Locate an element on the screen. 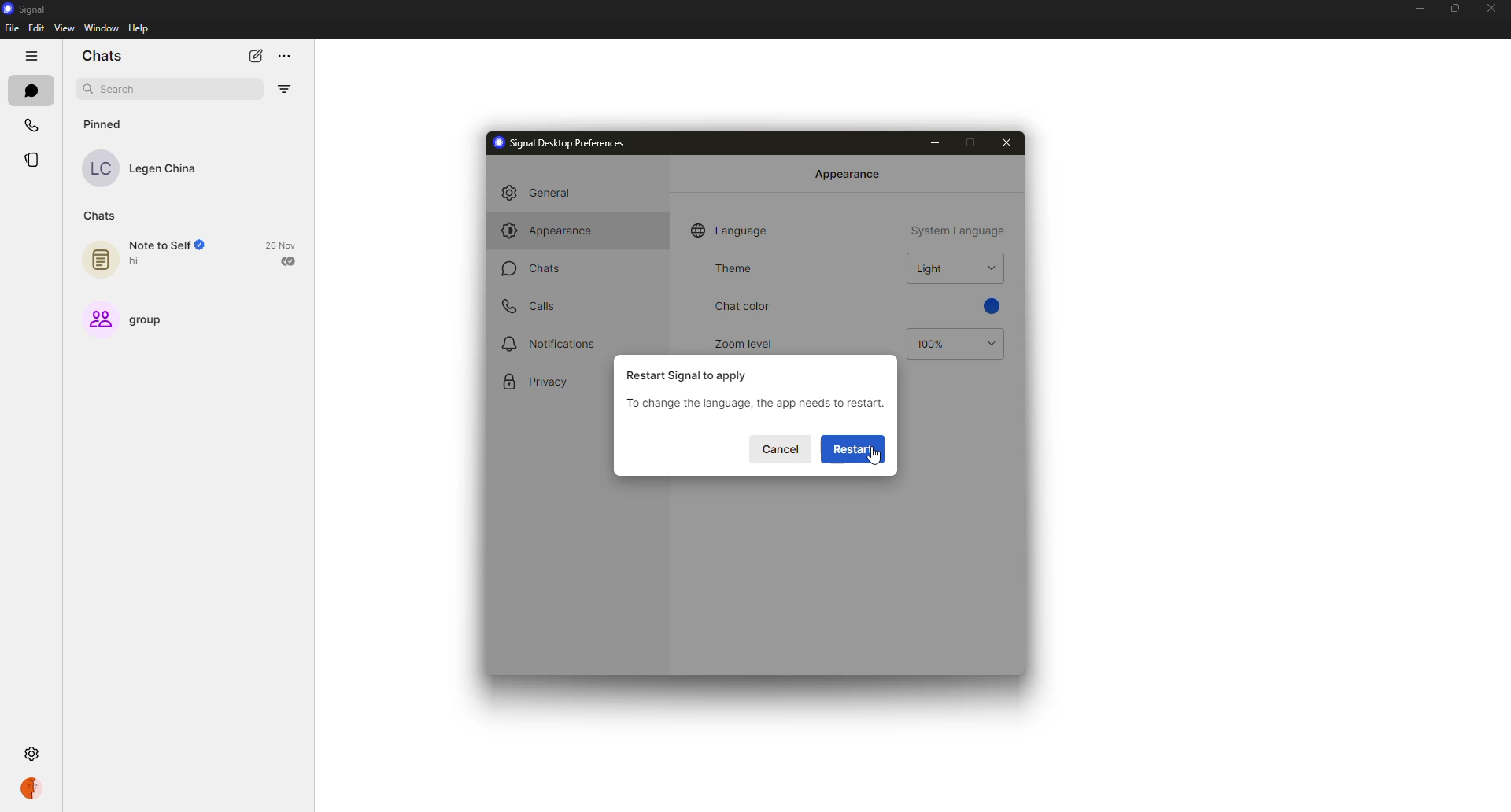 The height and width of the screenshot is (812, 1511). search is located at coordinates (116, 90).